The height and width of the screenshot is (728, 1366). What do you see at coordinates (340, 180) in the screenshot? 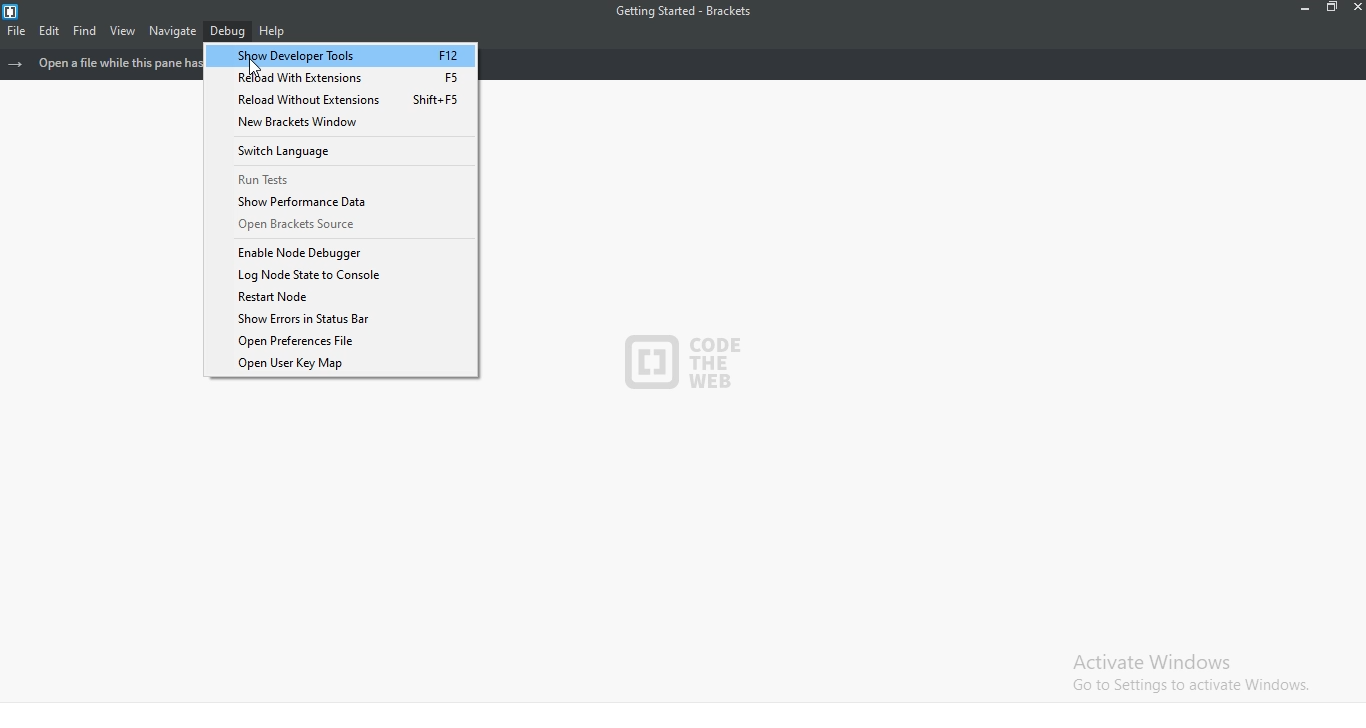
I see `Run Tests` at bounding box center [340, 180].